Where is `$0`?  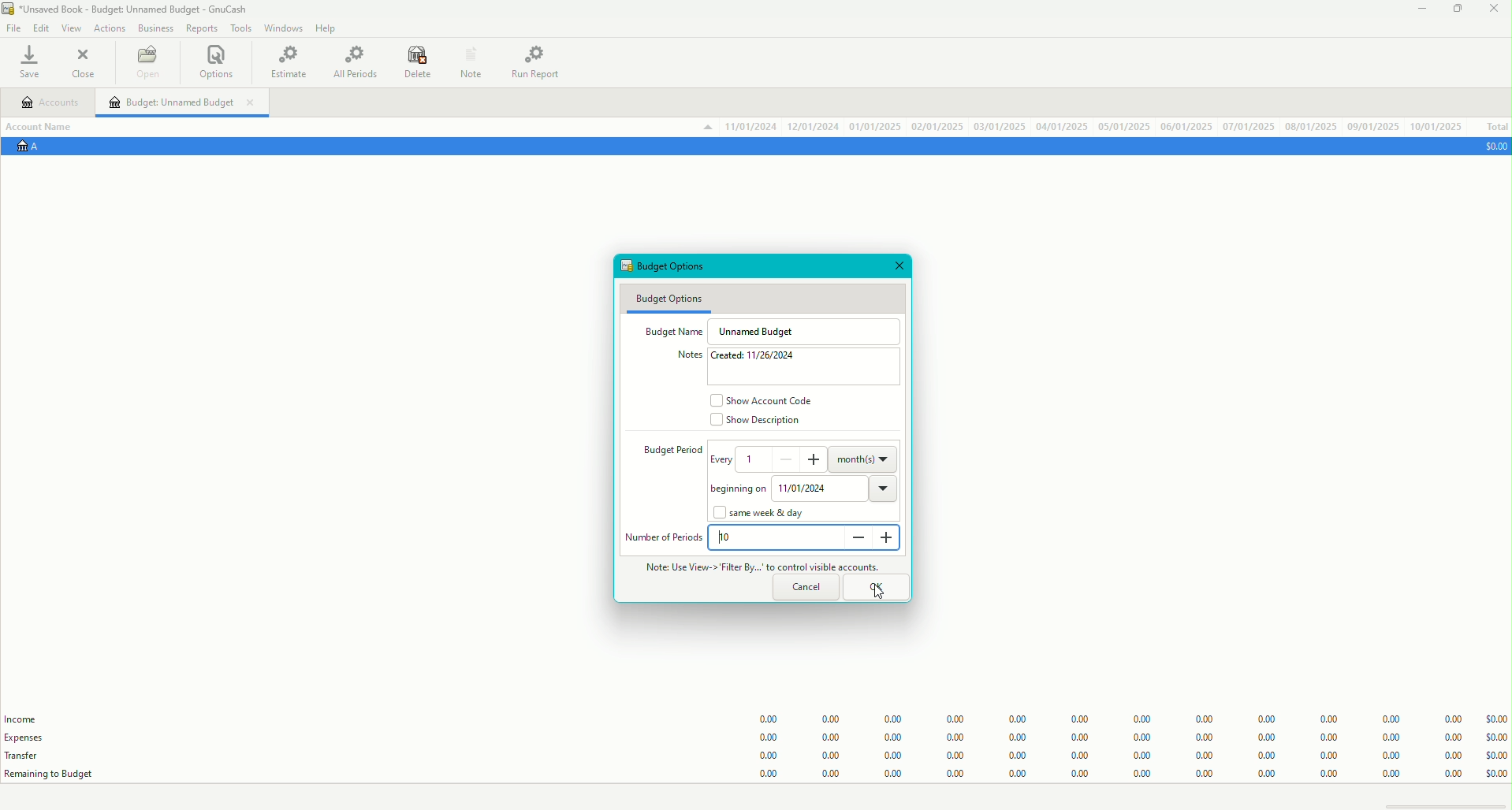 $0 is located at coordinates (1492, 146).